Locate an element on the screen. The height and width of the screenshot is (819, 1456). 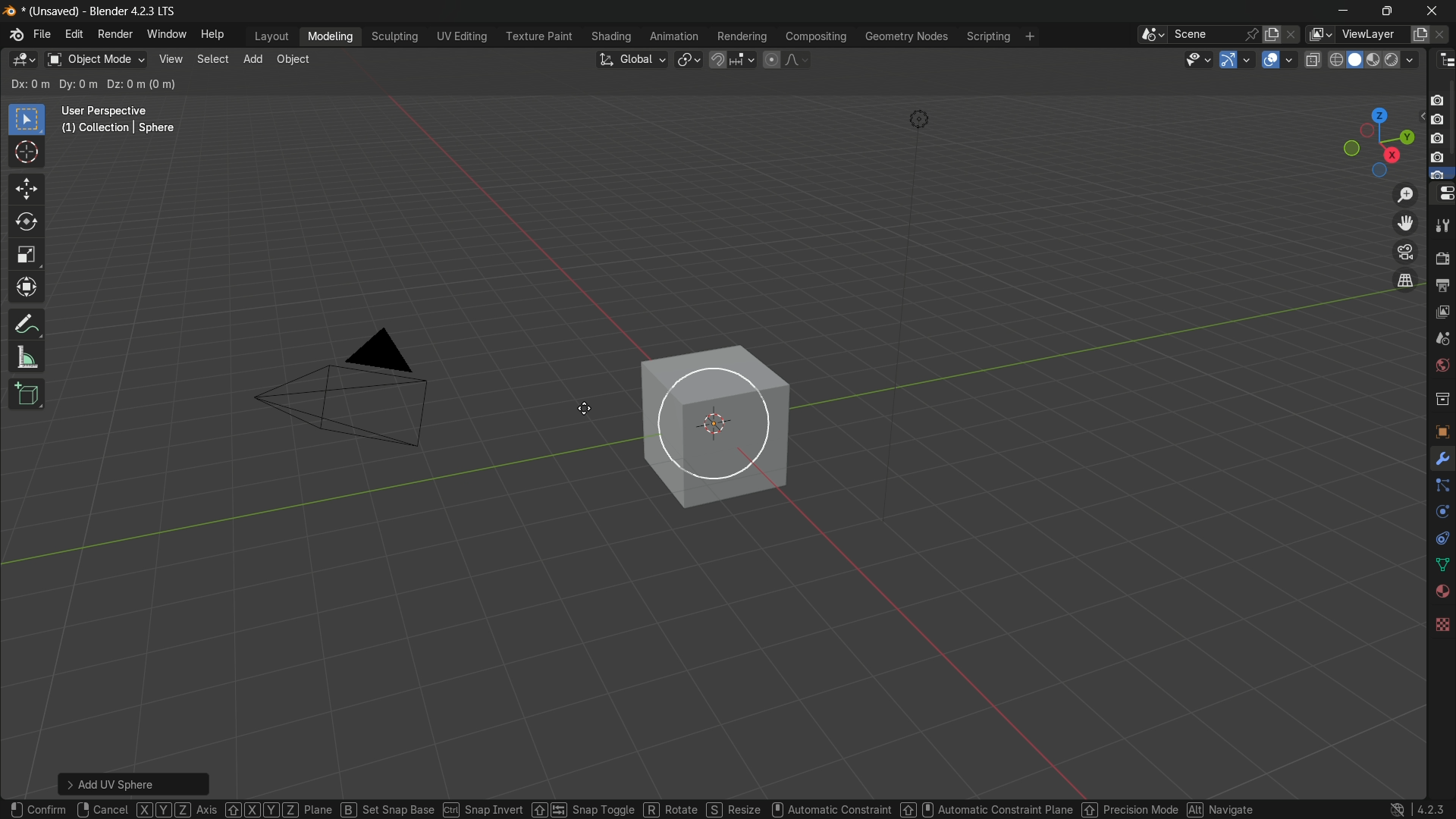
logo is located at coordinates (1397, 810).